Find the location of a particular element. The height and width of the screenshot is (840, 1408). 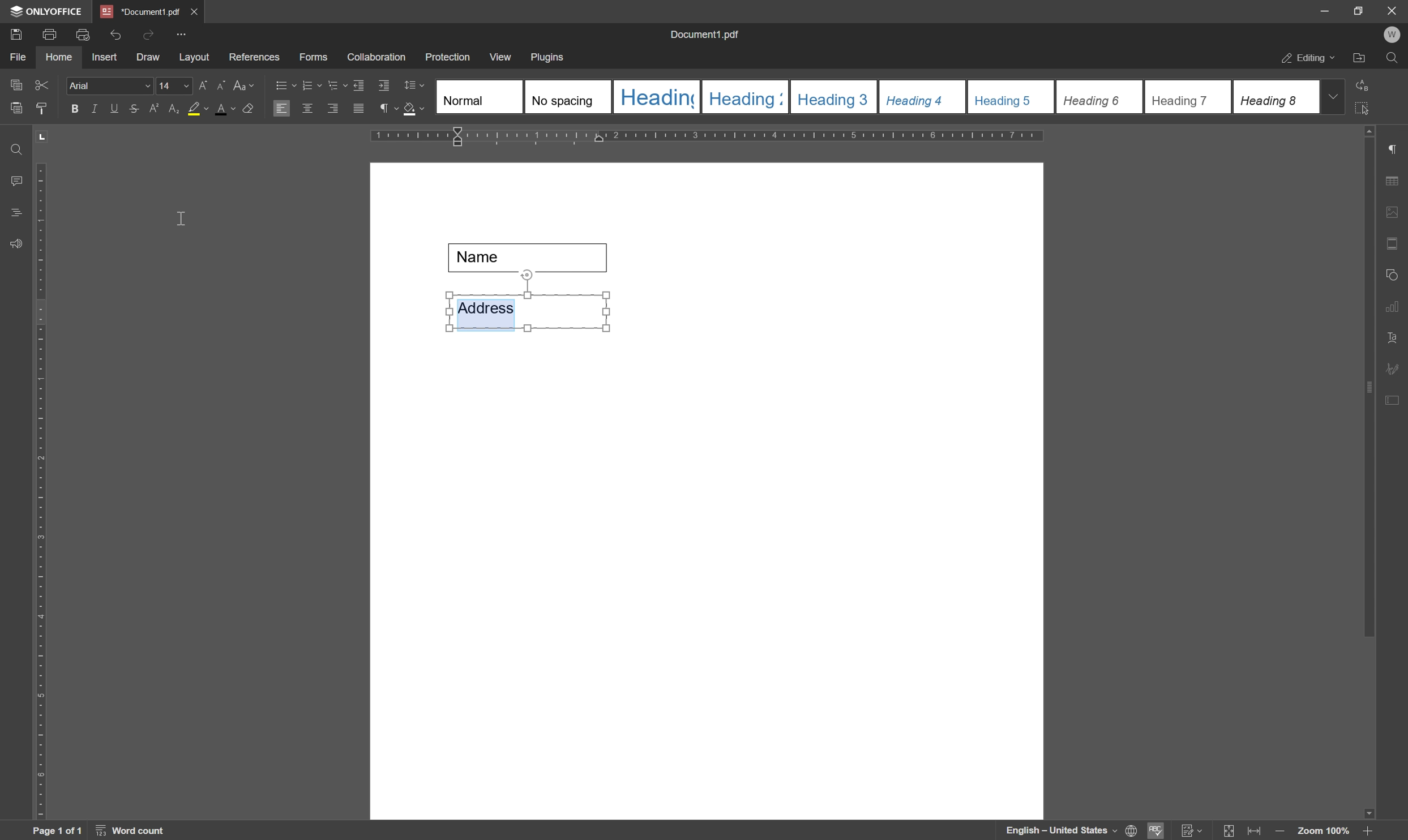

Type of headings is located at coordinates (876, 96).